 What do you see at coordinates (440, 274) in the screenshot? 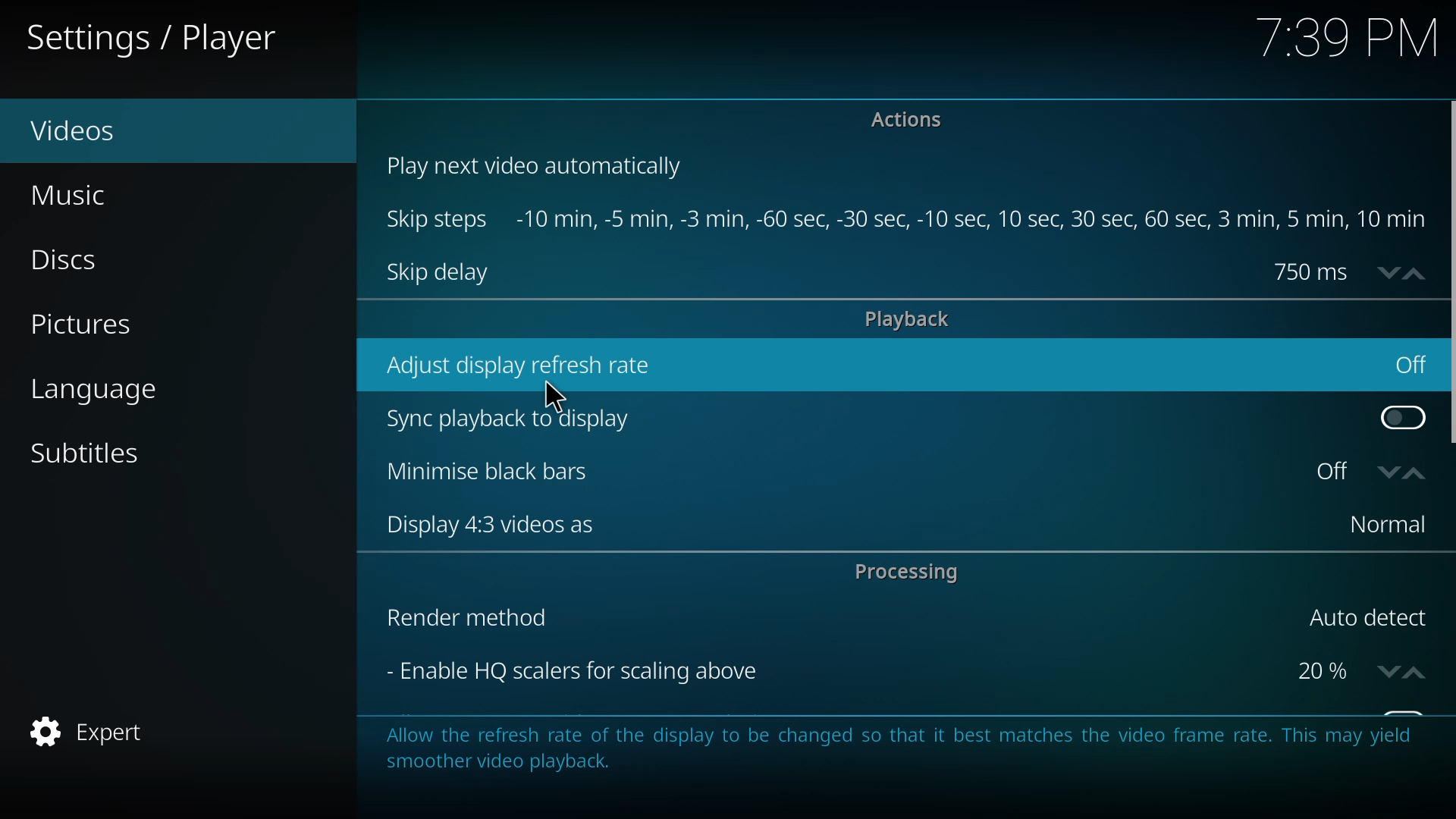
I see `skip delay` at bounding box center [440, 274].